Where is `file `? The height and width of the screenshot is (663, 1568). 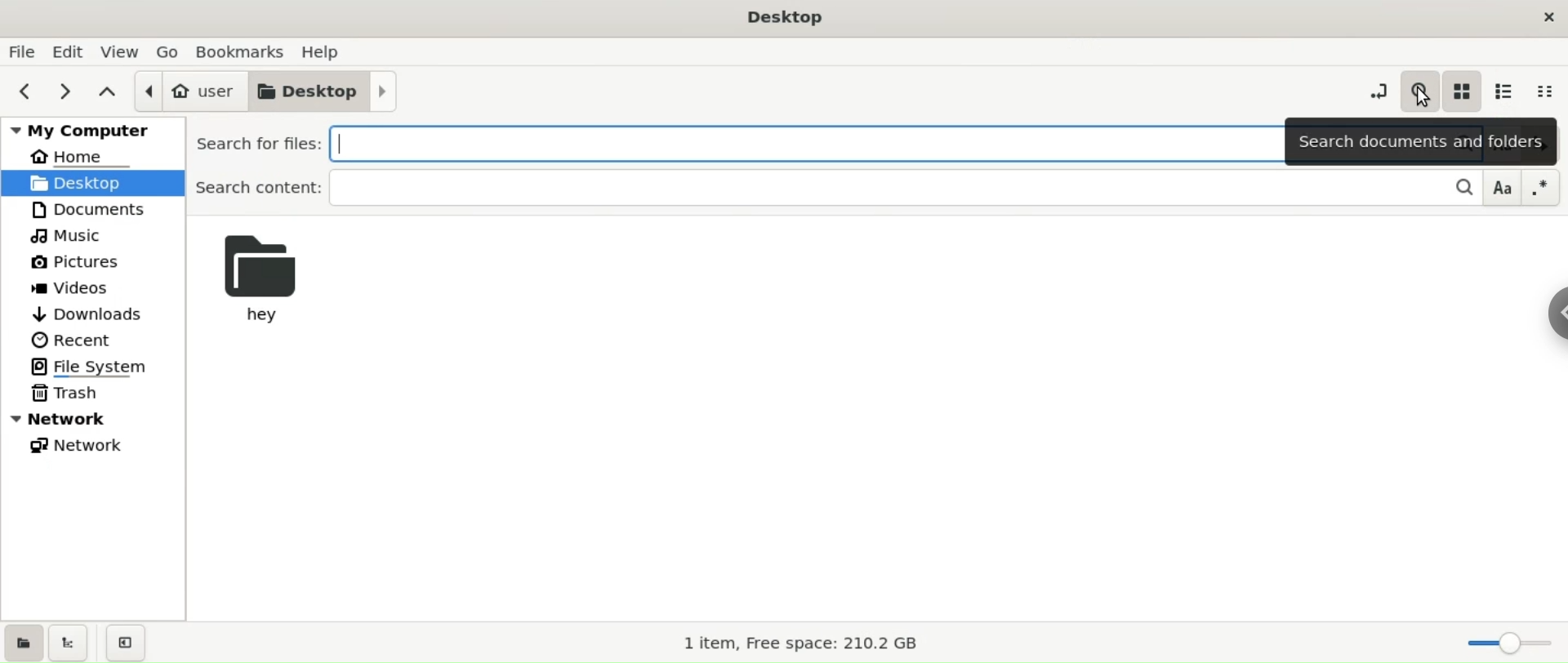
file  is located at coordinates (23, 52).